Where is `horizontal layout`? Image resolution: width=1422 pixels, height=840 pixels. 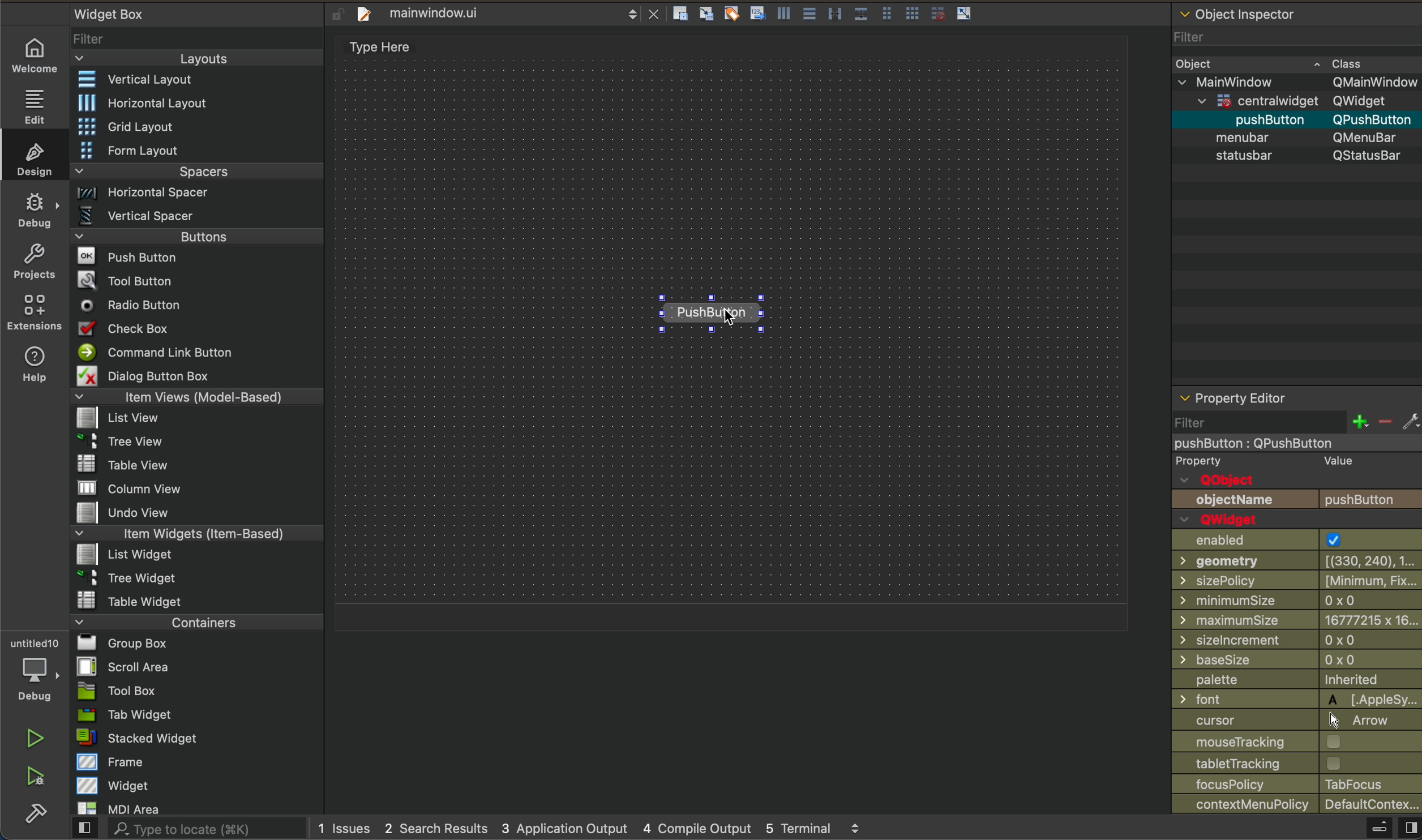
horizontal layout is located at coordinates (197, 101).